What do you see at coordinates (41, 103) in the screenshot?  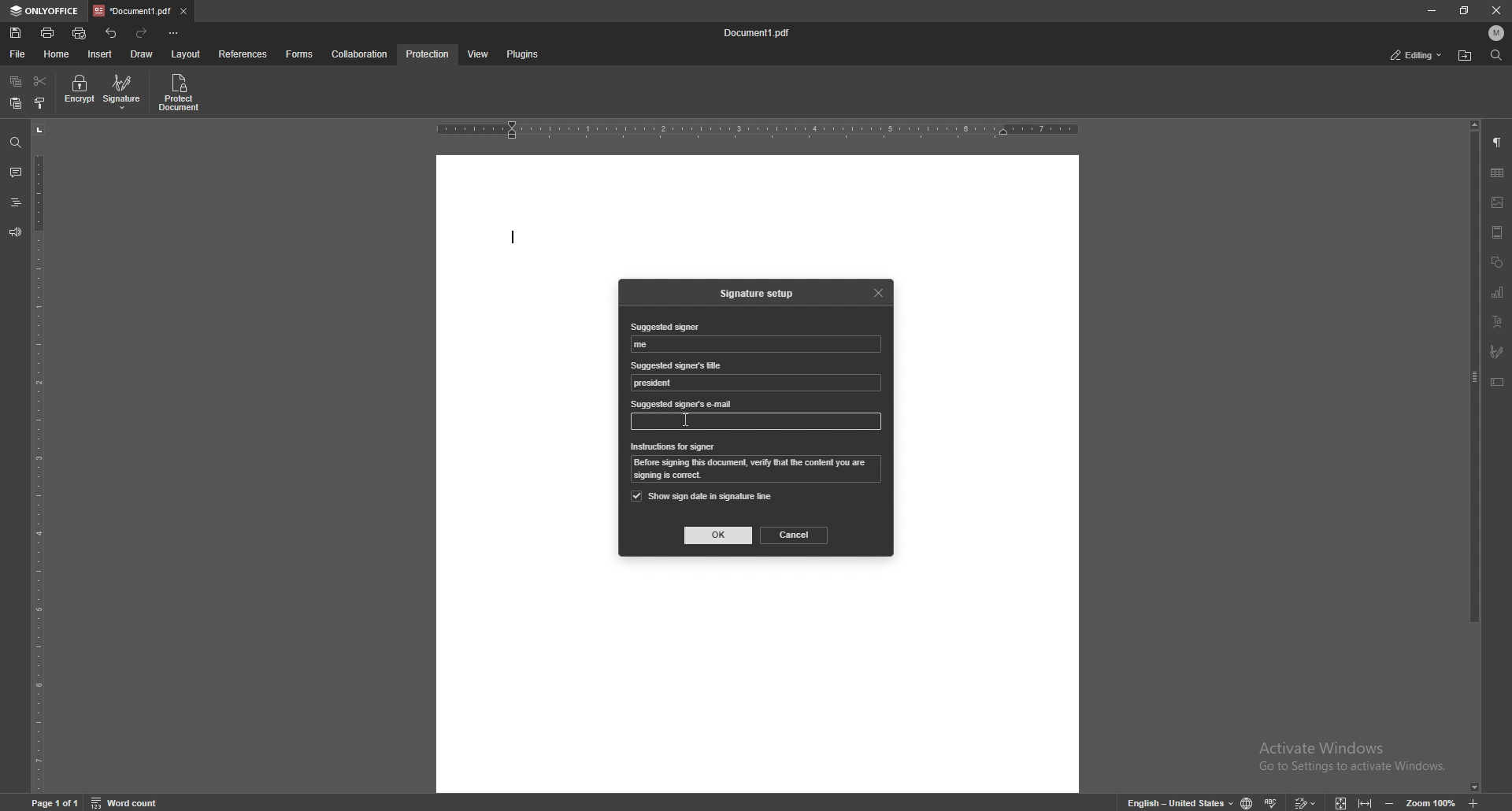 I see `copy style` at bounding box center [41, 103].